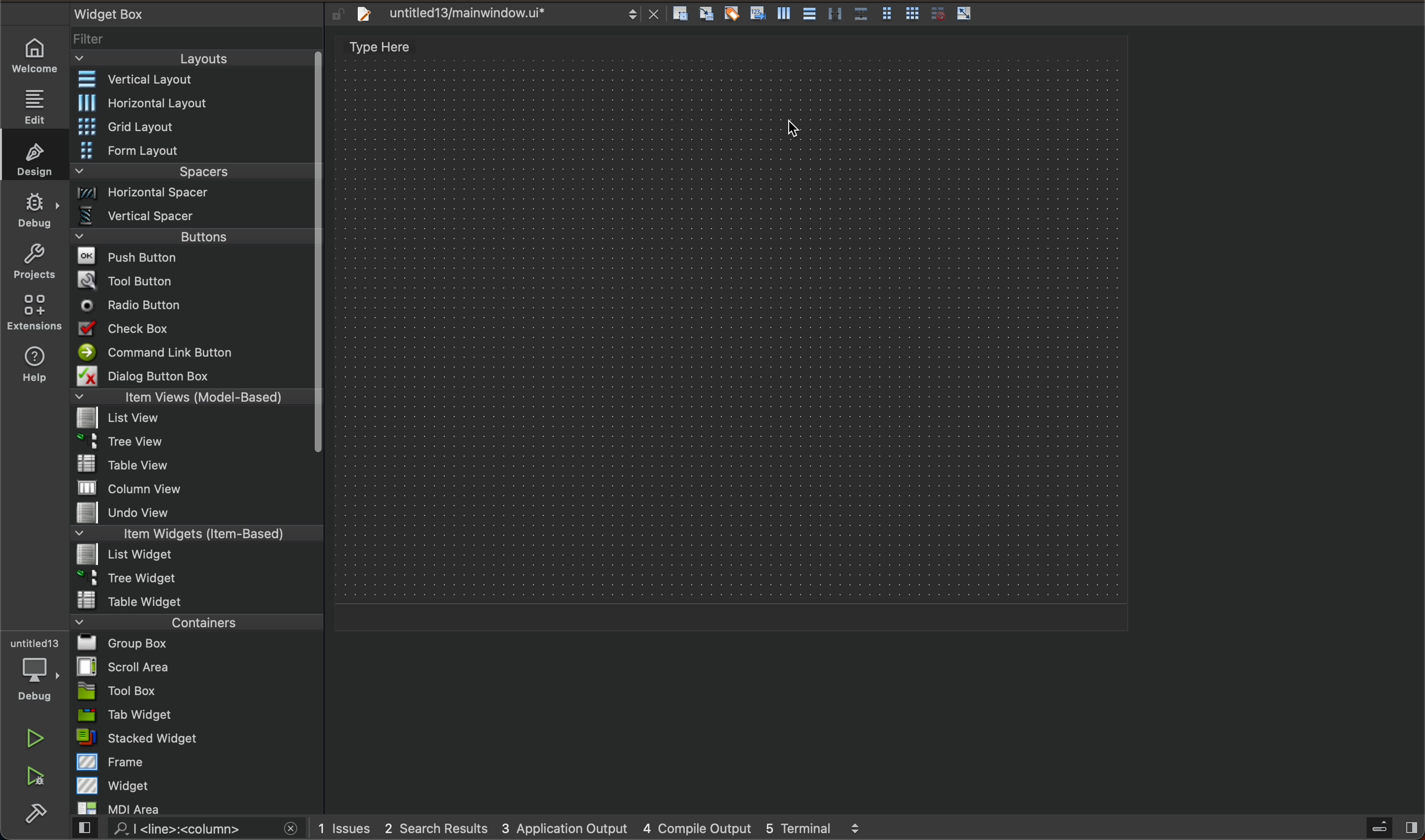 The width and height of the screenshot is (1425, 840). Describe the element at coordinates (503, 16) in the screenshot. I see `file tab` at that location.